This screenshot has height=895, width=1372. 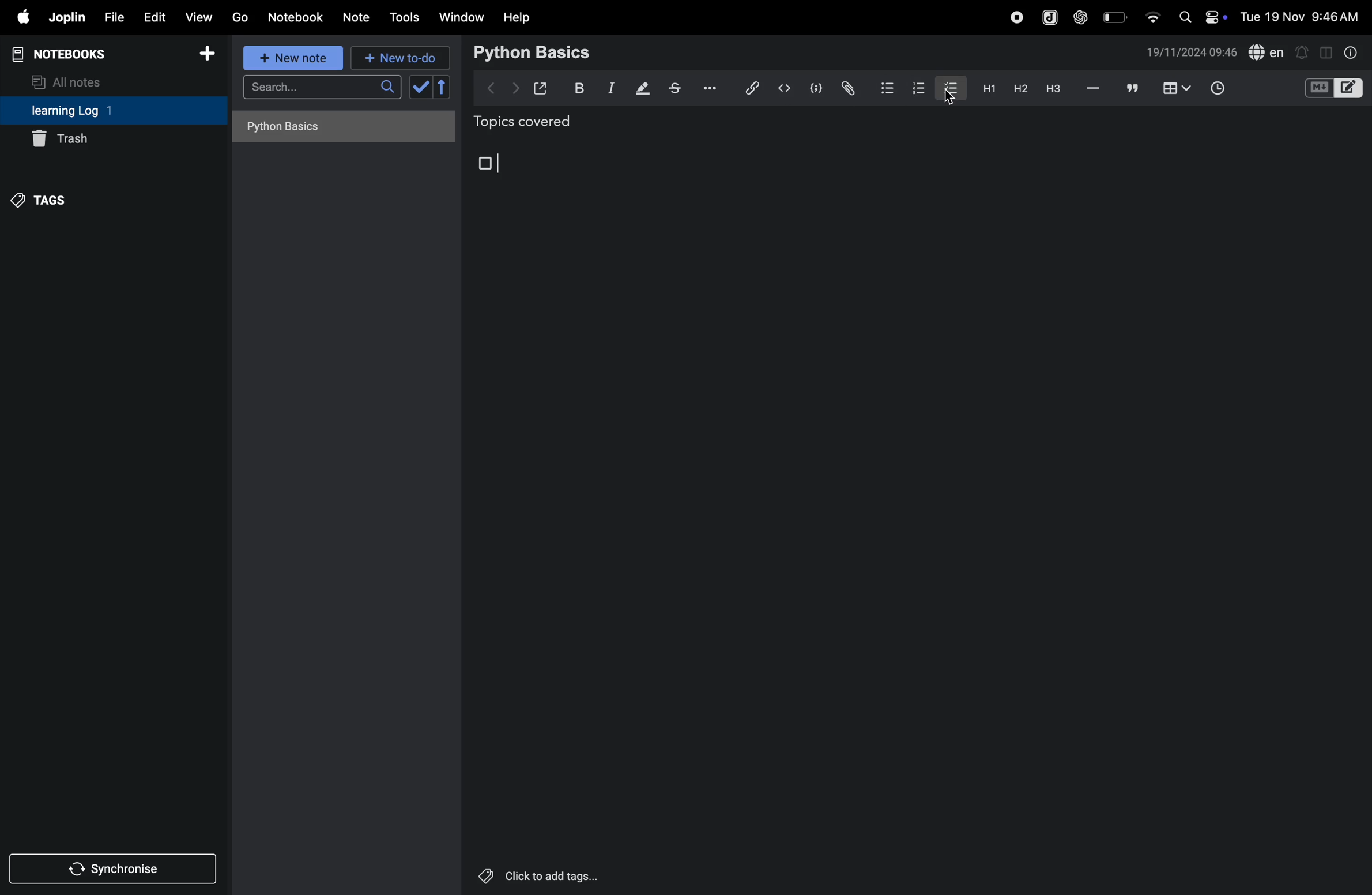 I want to click on no notes here, so click(x=340, y=130).